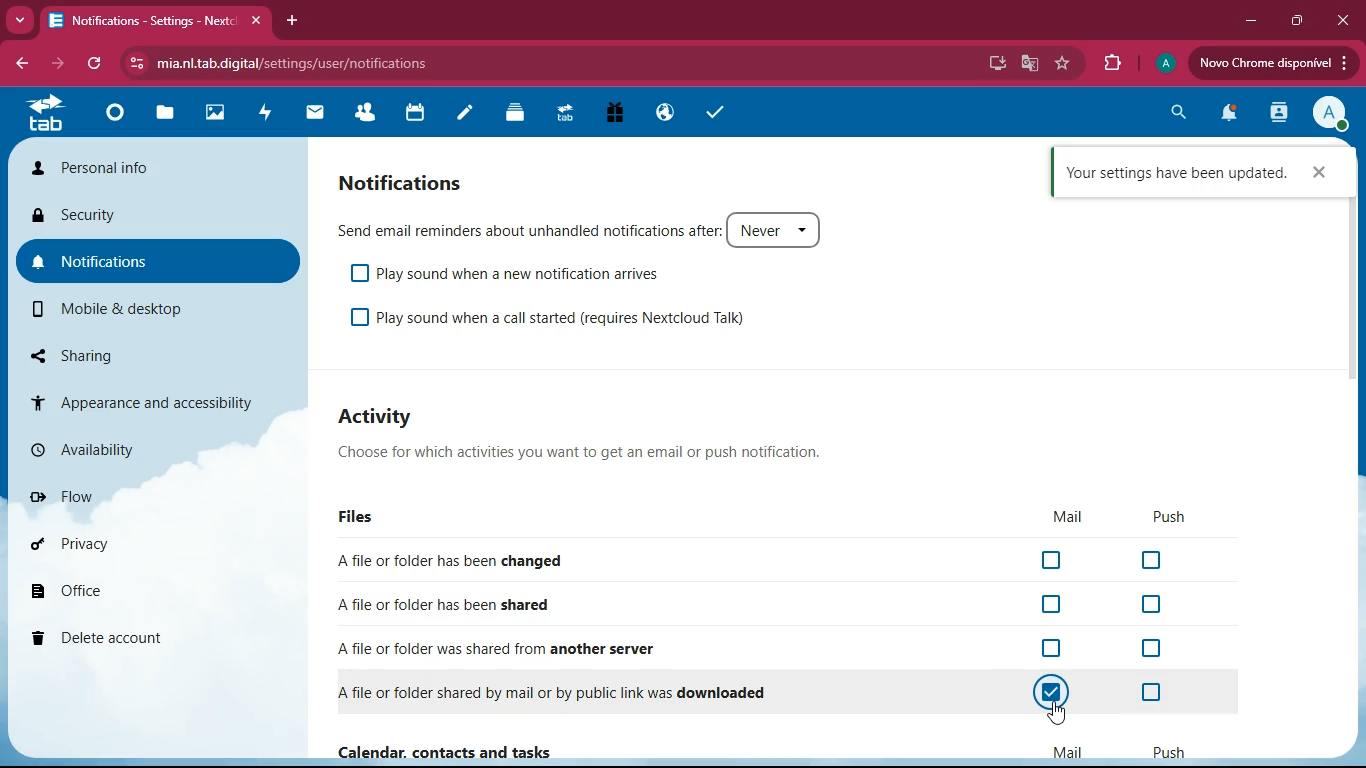  Describe the element at coordinates (361, 114) in the screenshot. I see `friends` at that location.